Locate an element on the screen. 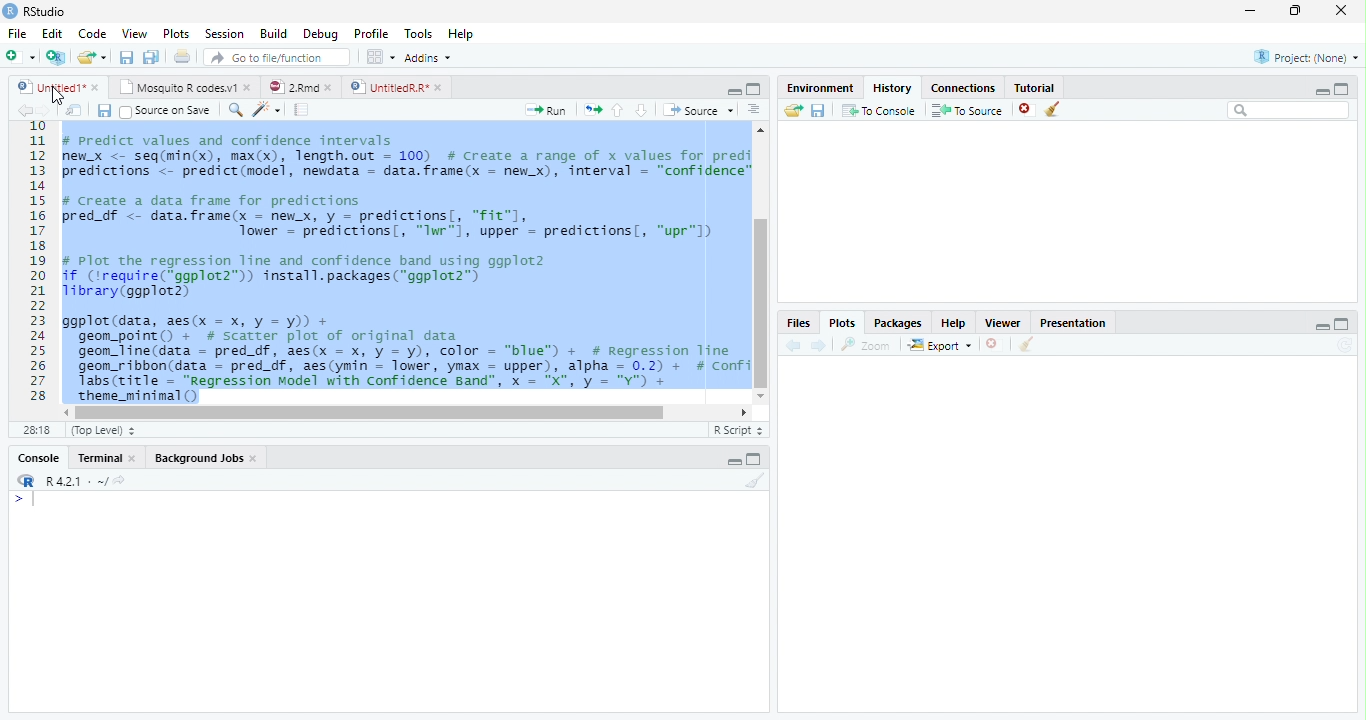 The width and height of the screenshot is (1366, 720). Scrollbar is located at coordinates (406, 412).